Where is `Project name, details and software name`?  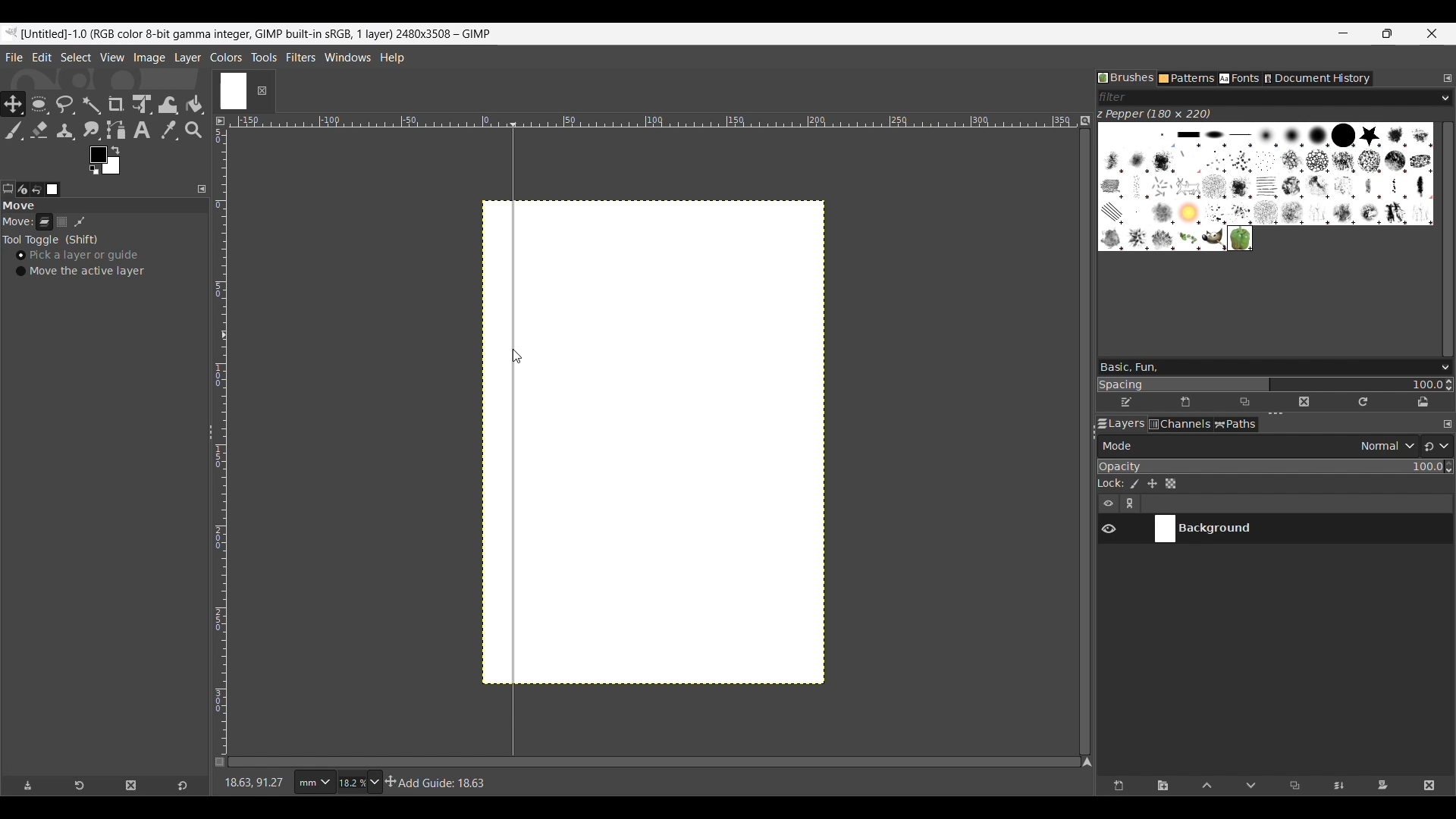
Project name, details and software name is located at coordinates (261, 34).